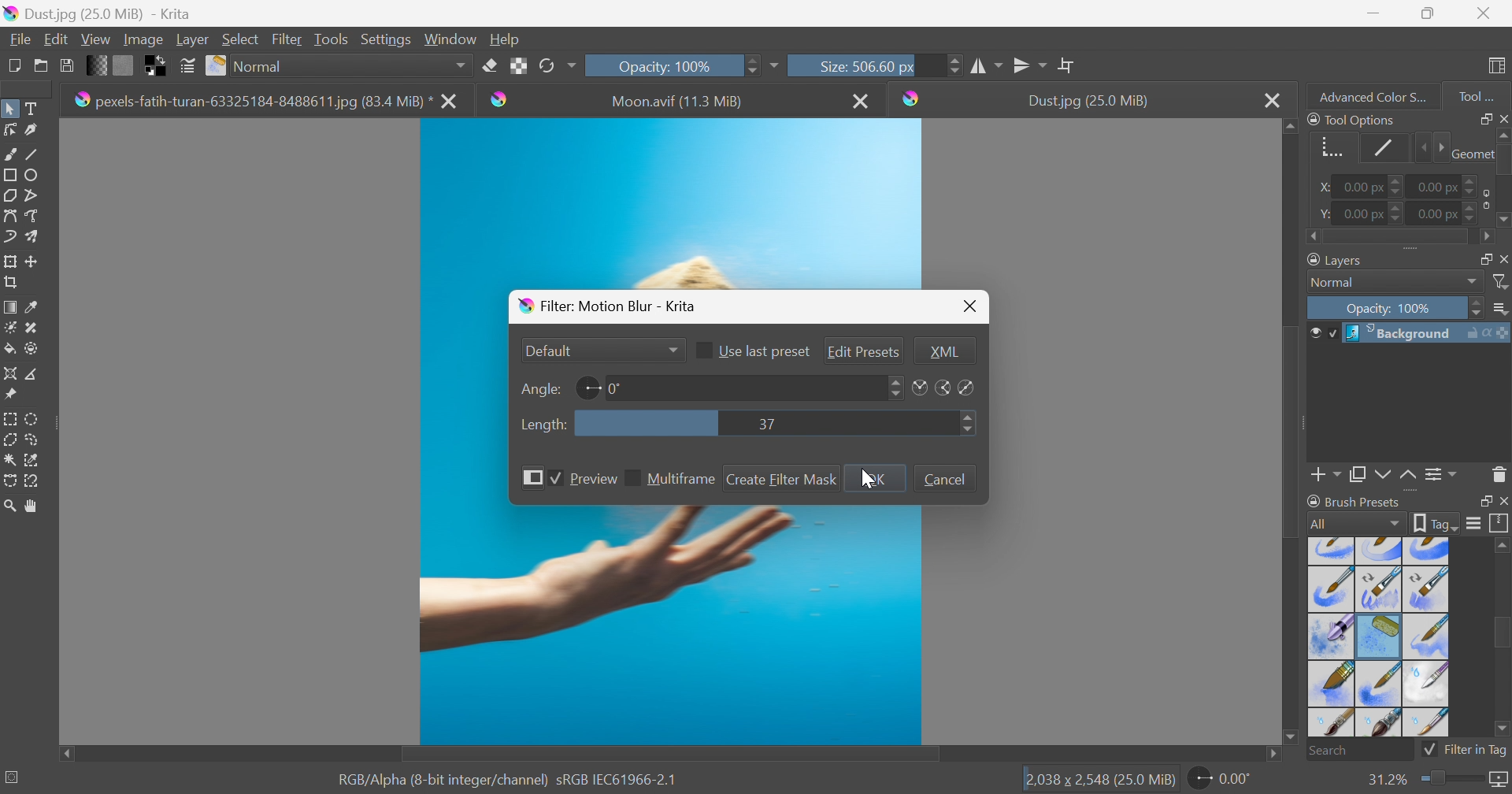 The width and height of the screenshot is (1512, 794). Describe the element at coordinates (684, 479) in the screenshot. I see `Multiframe` at that location.